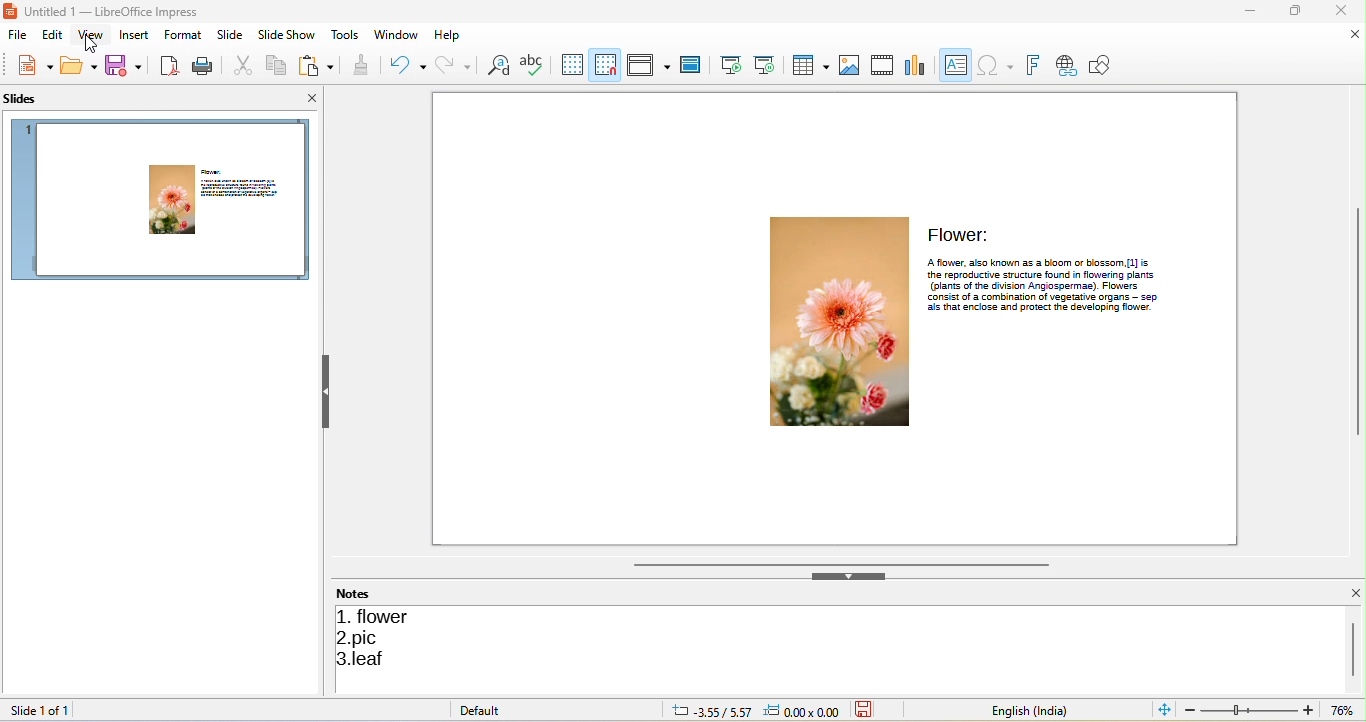  What do you see at coordinates (912, 64) in the screenshot?
I see `chart` at bounding box center [912, 64].